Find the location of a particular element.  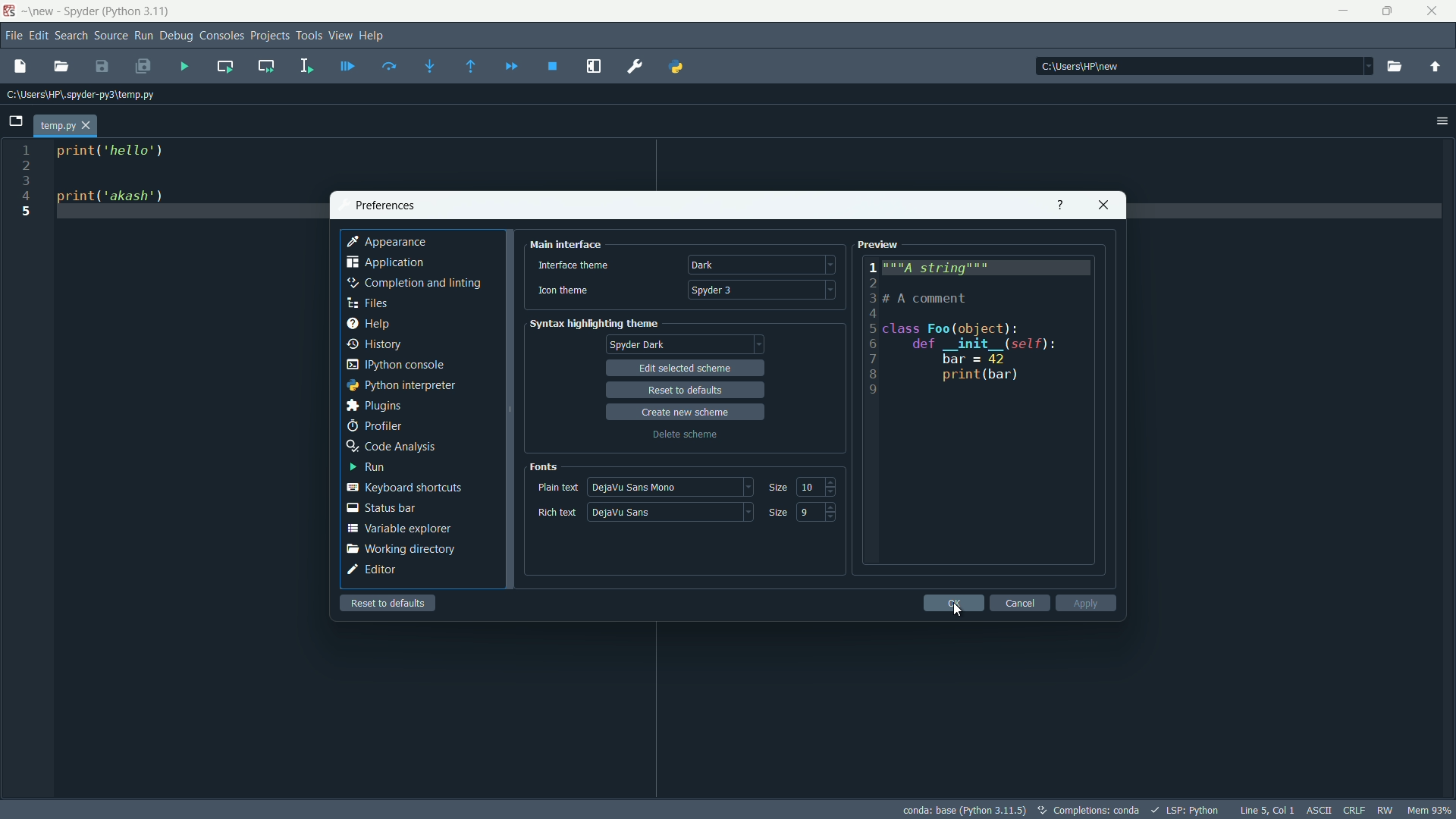

appearance is located at coordinates (389, 243).